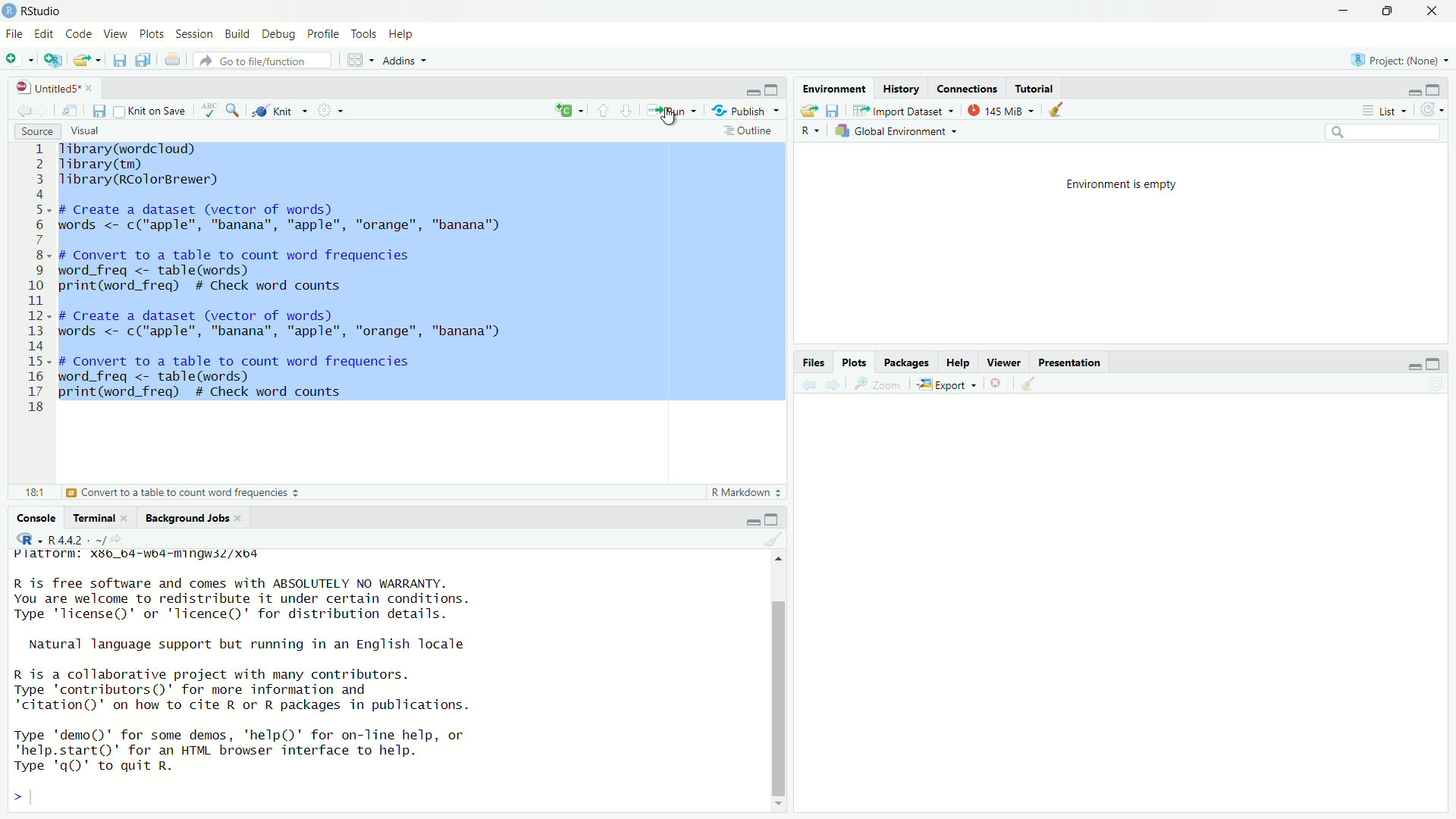 The width and height of the screenshot is (1456, 819). Describe the element at coordinates (149, 111) in the screenshot. I see `Kint on save` at that location.